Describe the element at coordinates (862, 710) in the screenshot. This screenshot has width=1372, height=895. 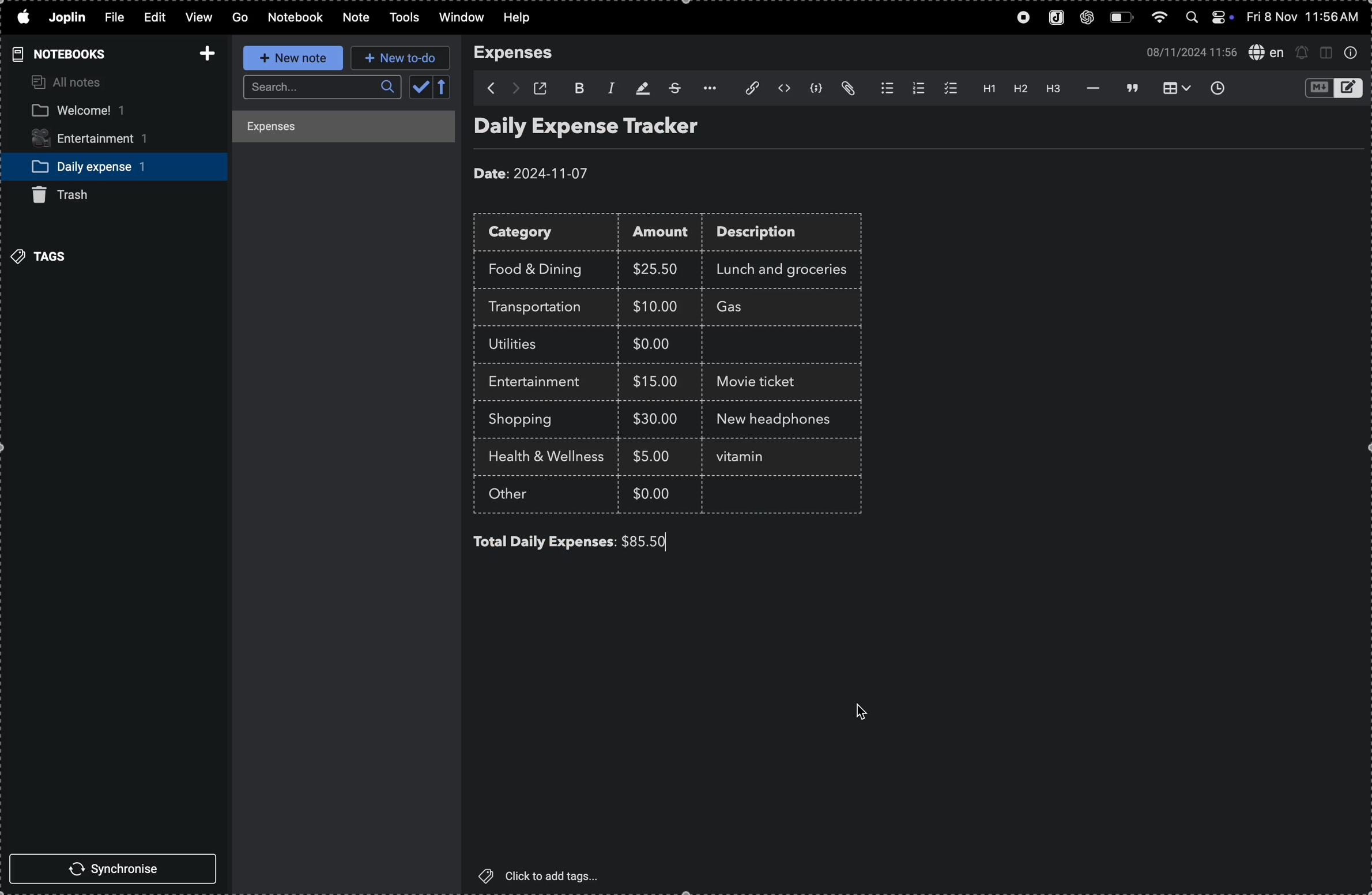
I see `cursor` at that location.